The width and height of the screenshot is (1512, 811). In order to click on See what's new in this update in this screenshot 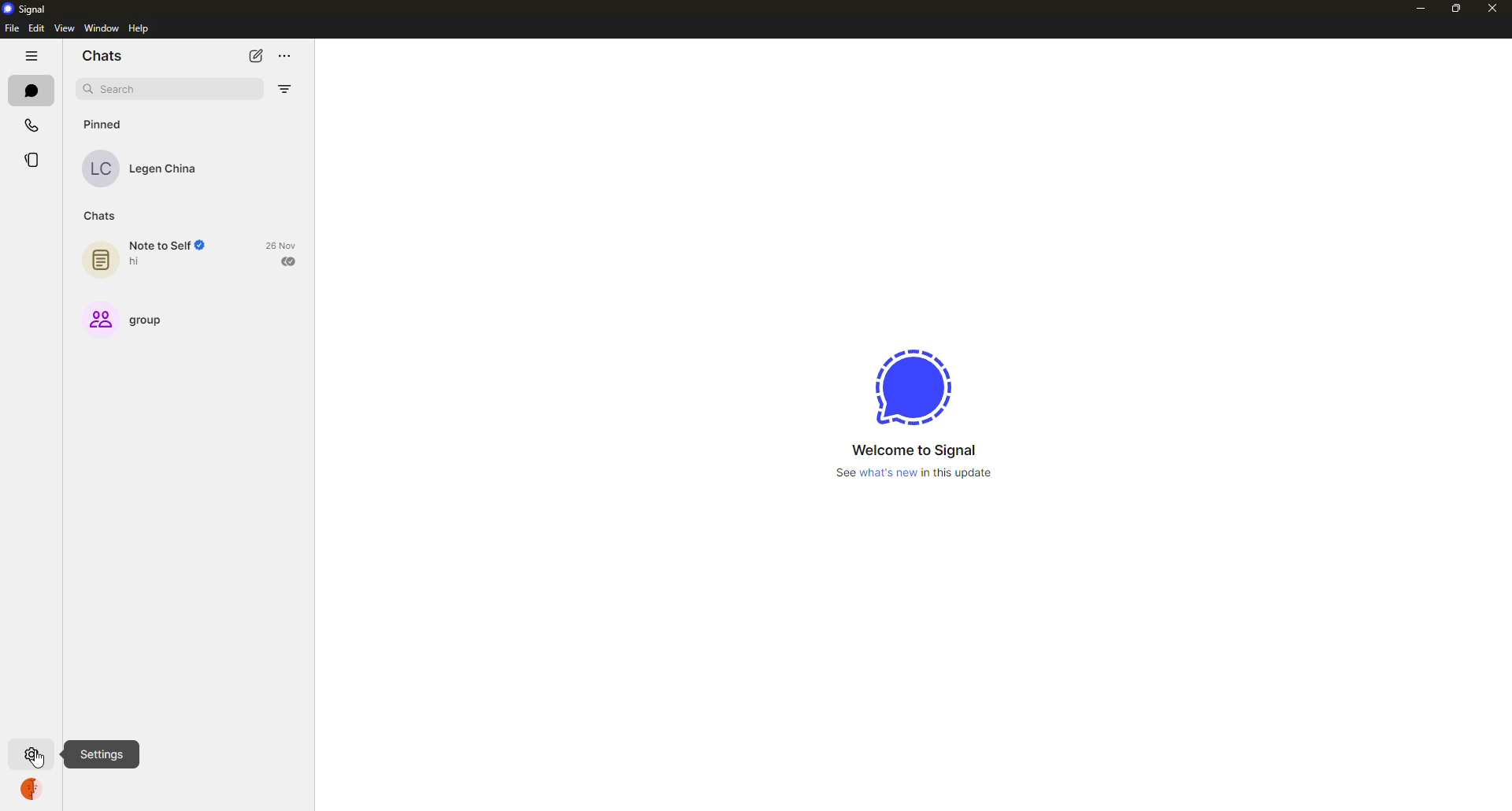, I will do `click(916, 475)`.